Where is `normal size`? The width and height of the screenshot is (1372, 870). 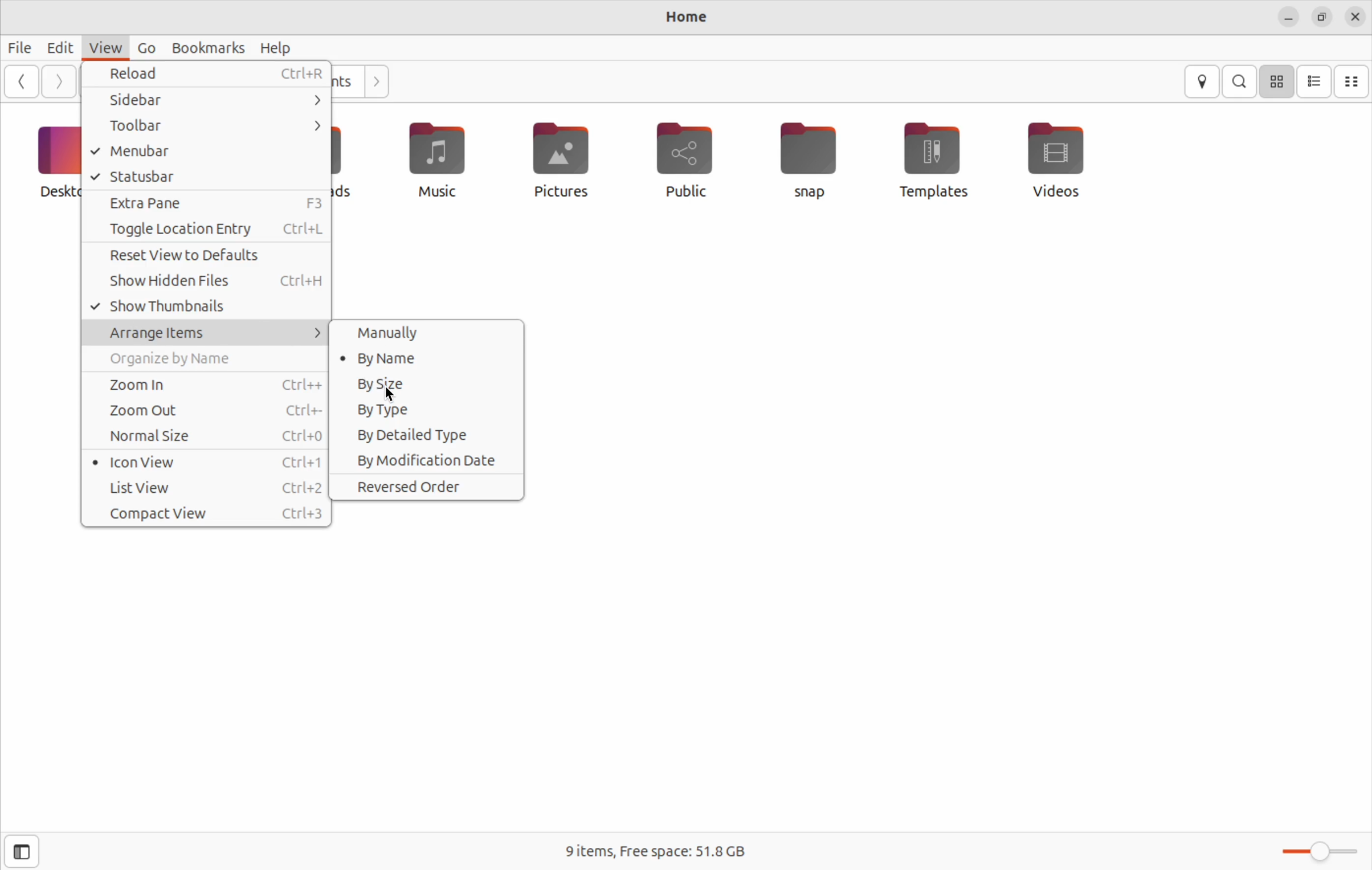 normal size is located at coordinates (210, 437).